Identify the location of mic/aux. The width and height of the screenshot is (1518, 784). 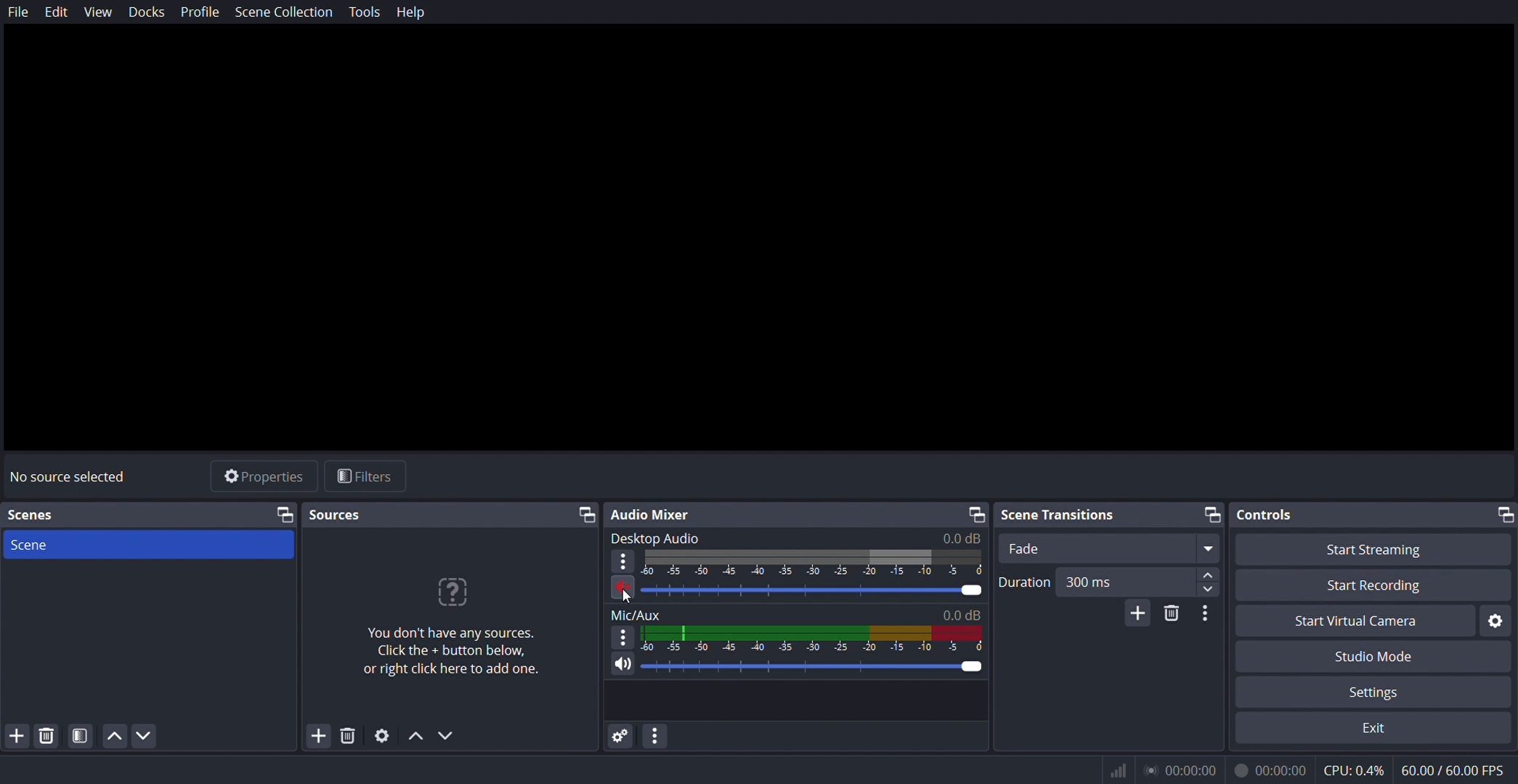
(797, 616).